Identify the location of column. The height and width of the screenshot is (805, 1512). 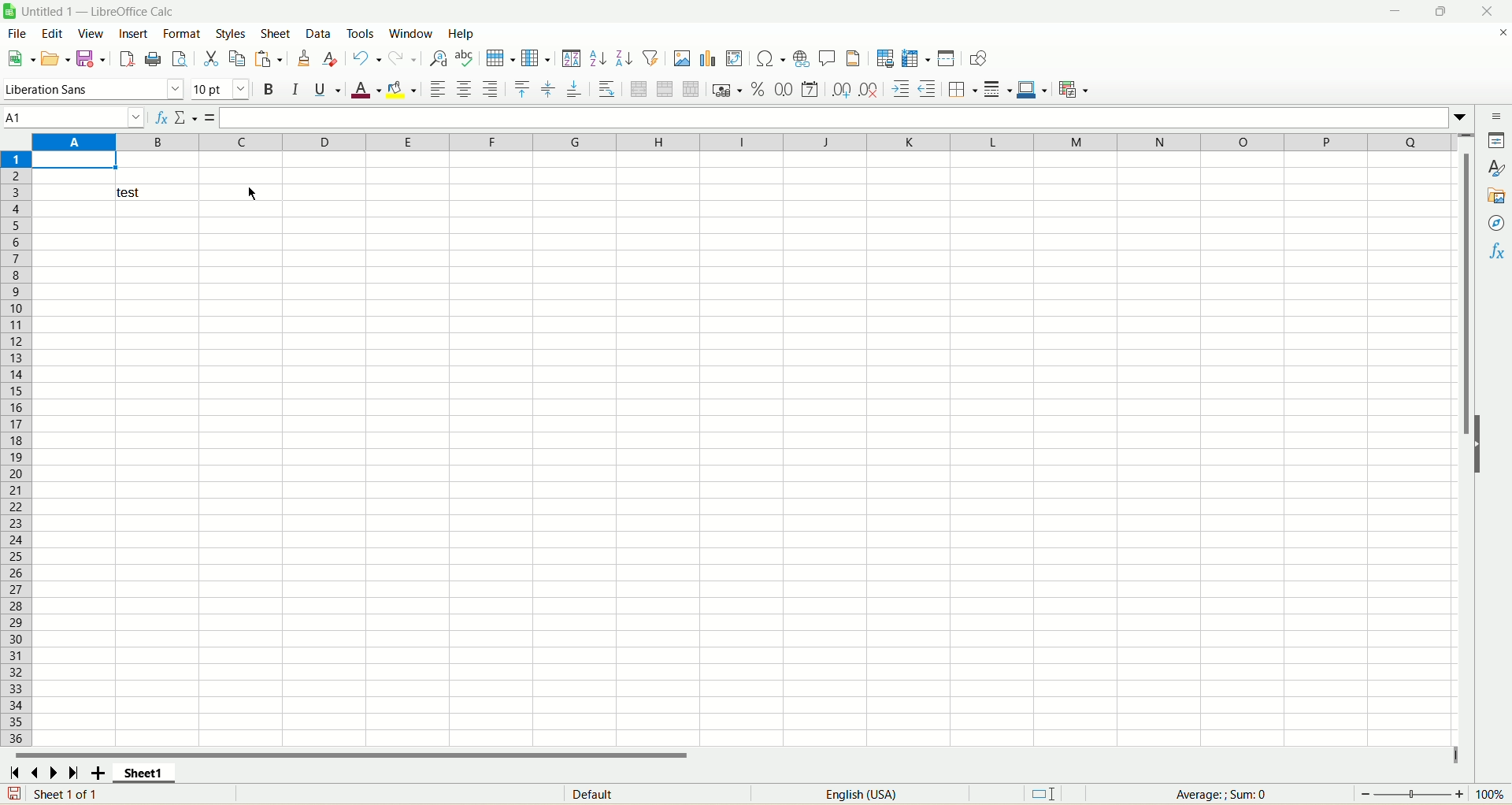
(535, 57).